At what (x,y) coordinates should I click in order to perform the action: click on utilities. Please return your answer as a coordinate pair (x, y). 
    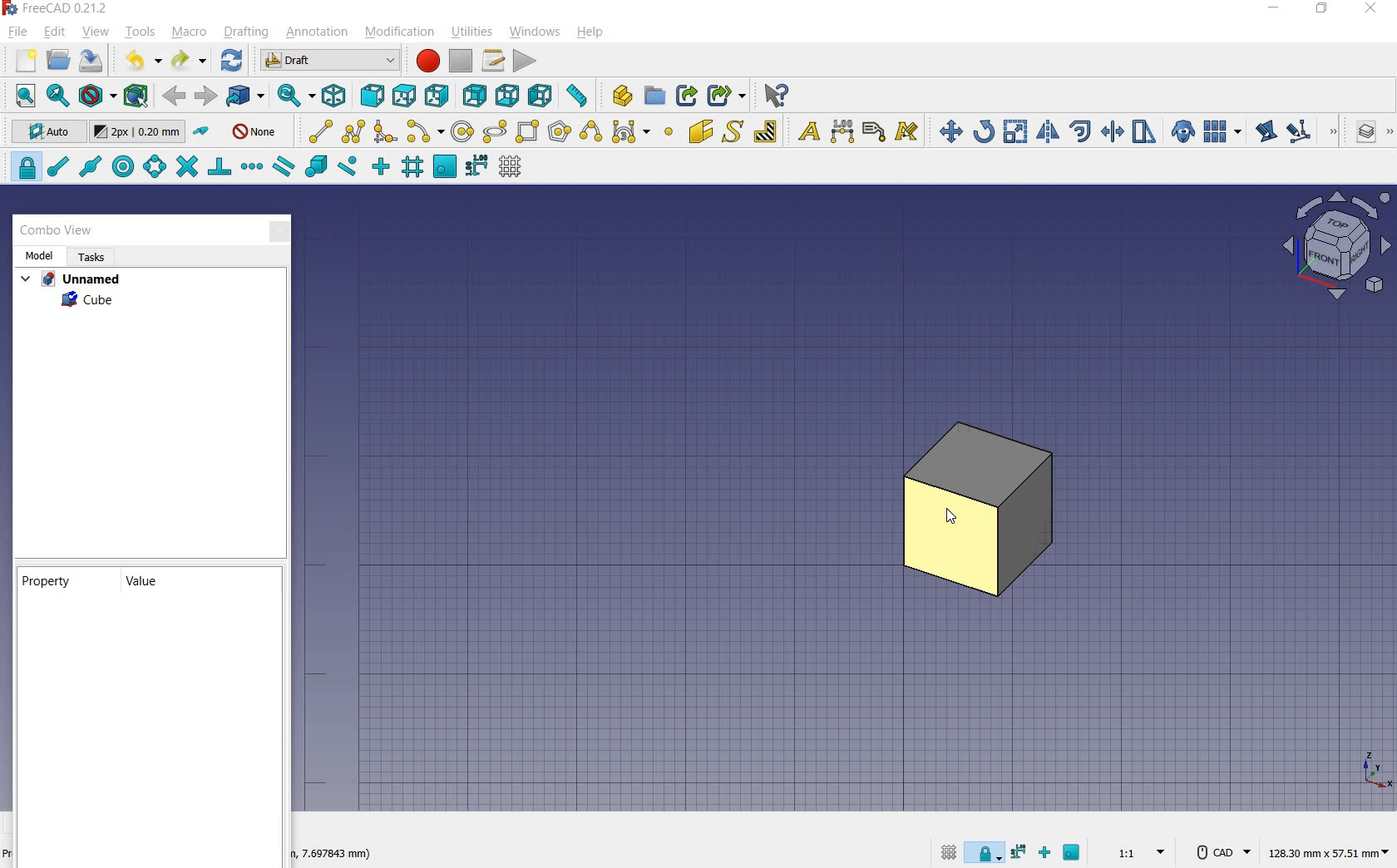
    Looking at the image, I should click on (474, 31).